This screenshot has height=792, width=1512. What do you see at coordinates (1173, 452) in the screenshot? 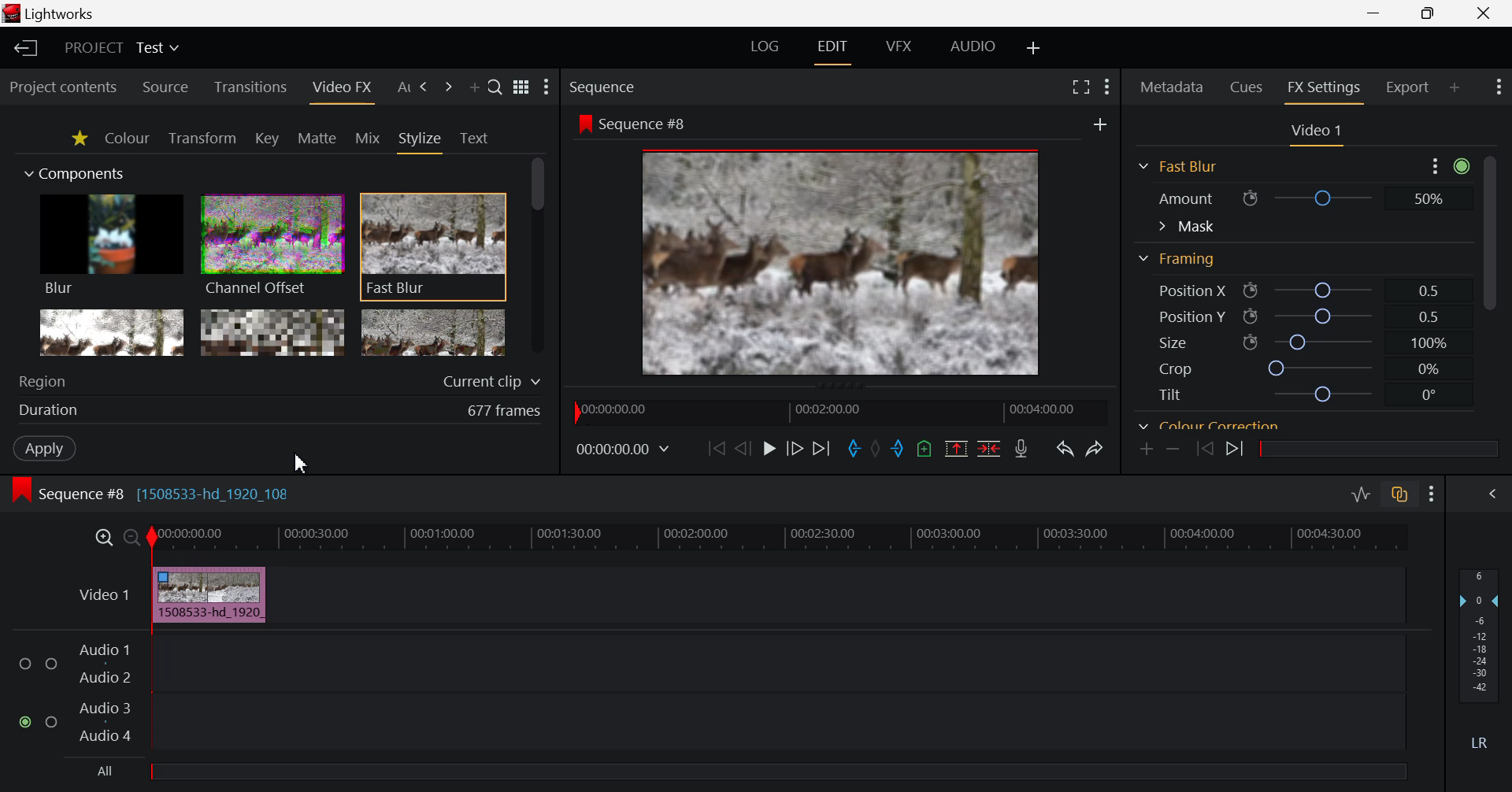
I see `Remove keyframe` at bounding box center [1173, 452].